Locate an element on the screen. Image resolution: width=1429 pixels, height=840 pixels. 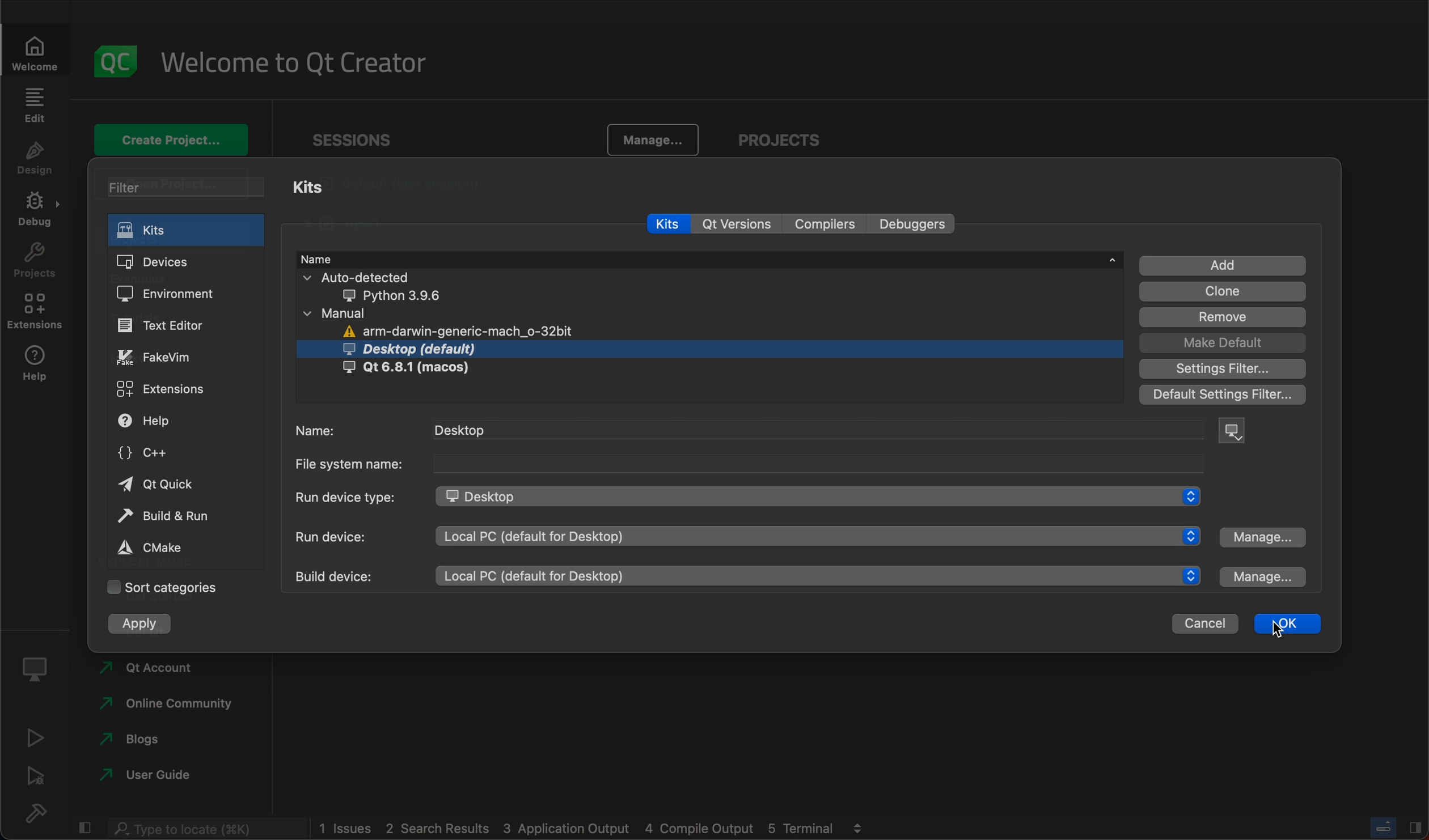
kits is located at coordinates (669, 226).